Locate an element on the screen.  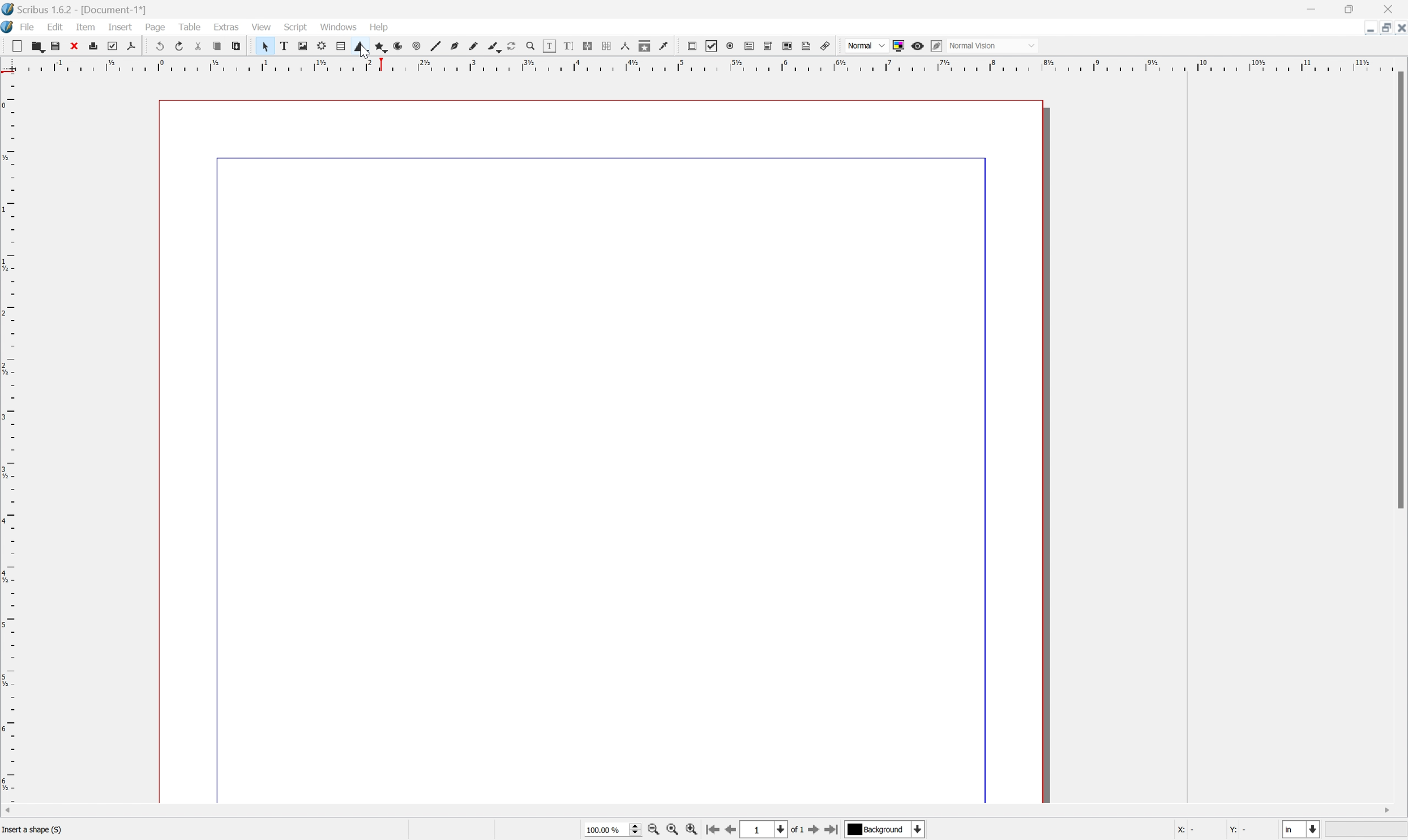
New is located at coordinates (16, 46).